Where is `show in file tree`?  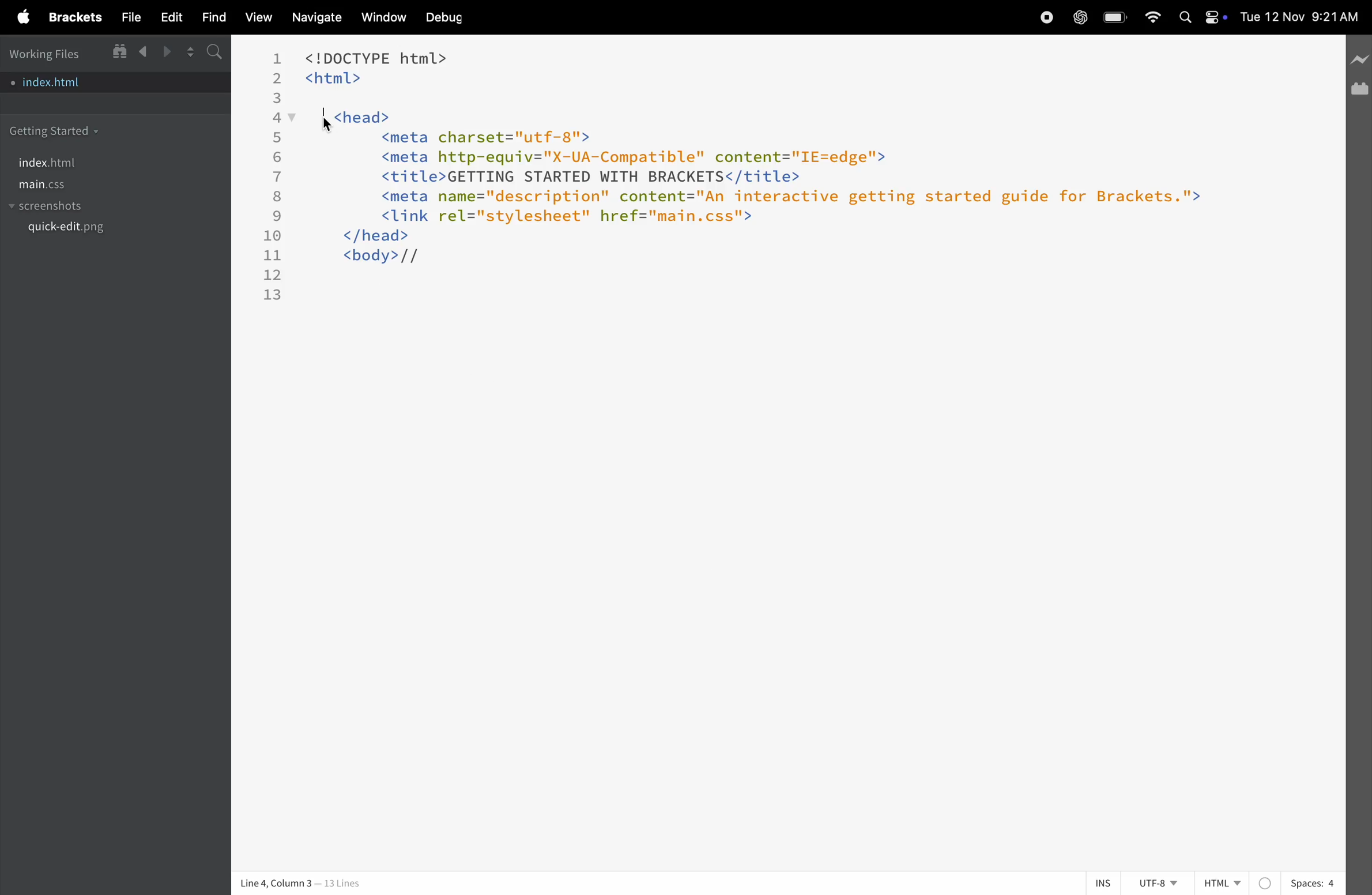
show in file tree is located at coordinates (120, 50).